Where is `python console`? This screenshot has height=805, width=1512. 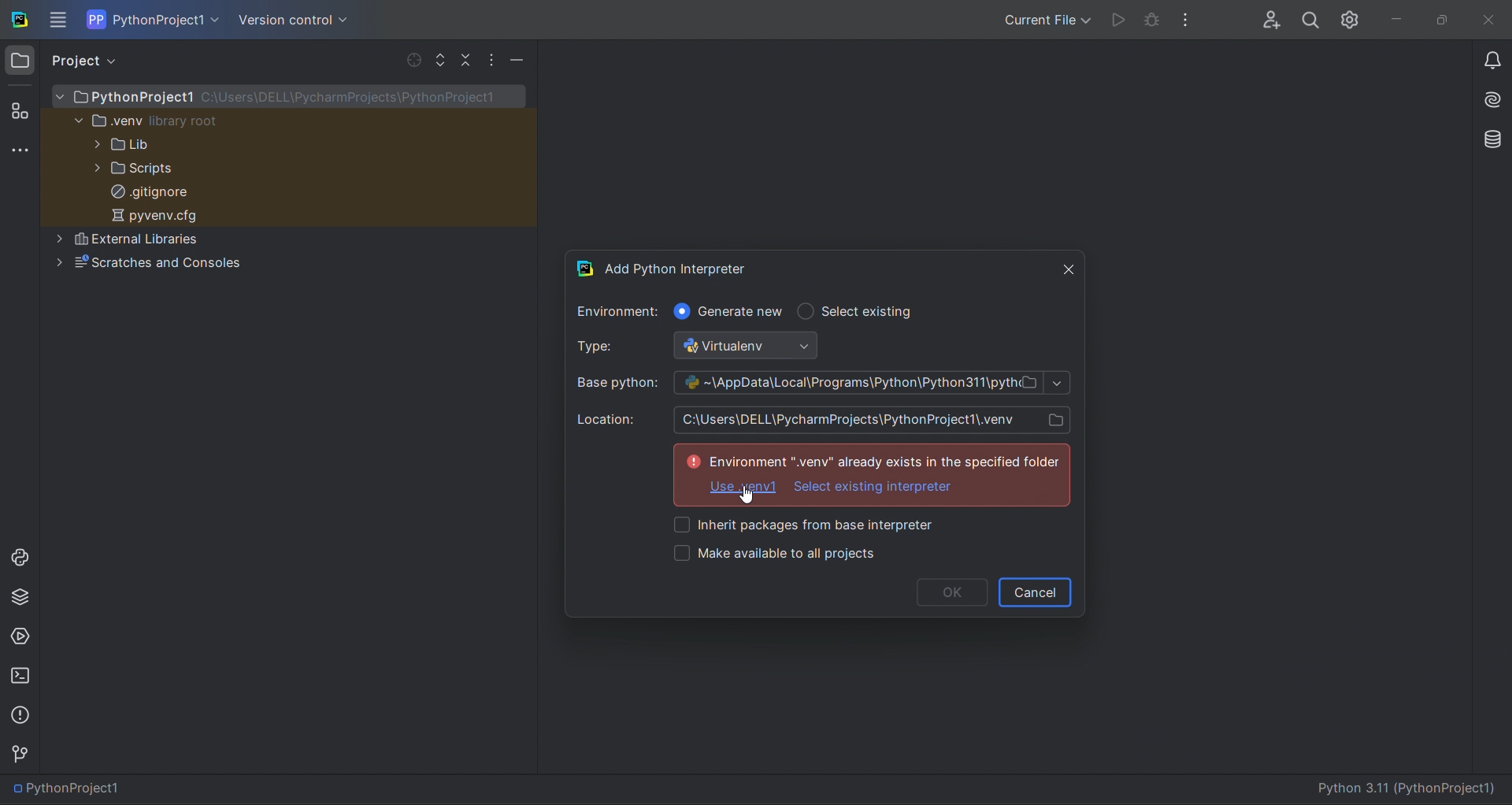
python console is located at coordinates (18, 556).